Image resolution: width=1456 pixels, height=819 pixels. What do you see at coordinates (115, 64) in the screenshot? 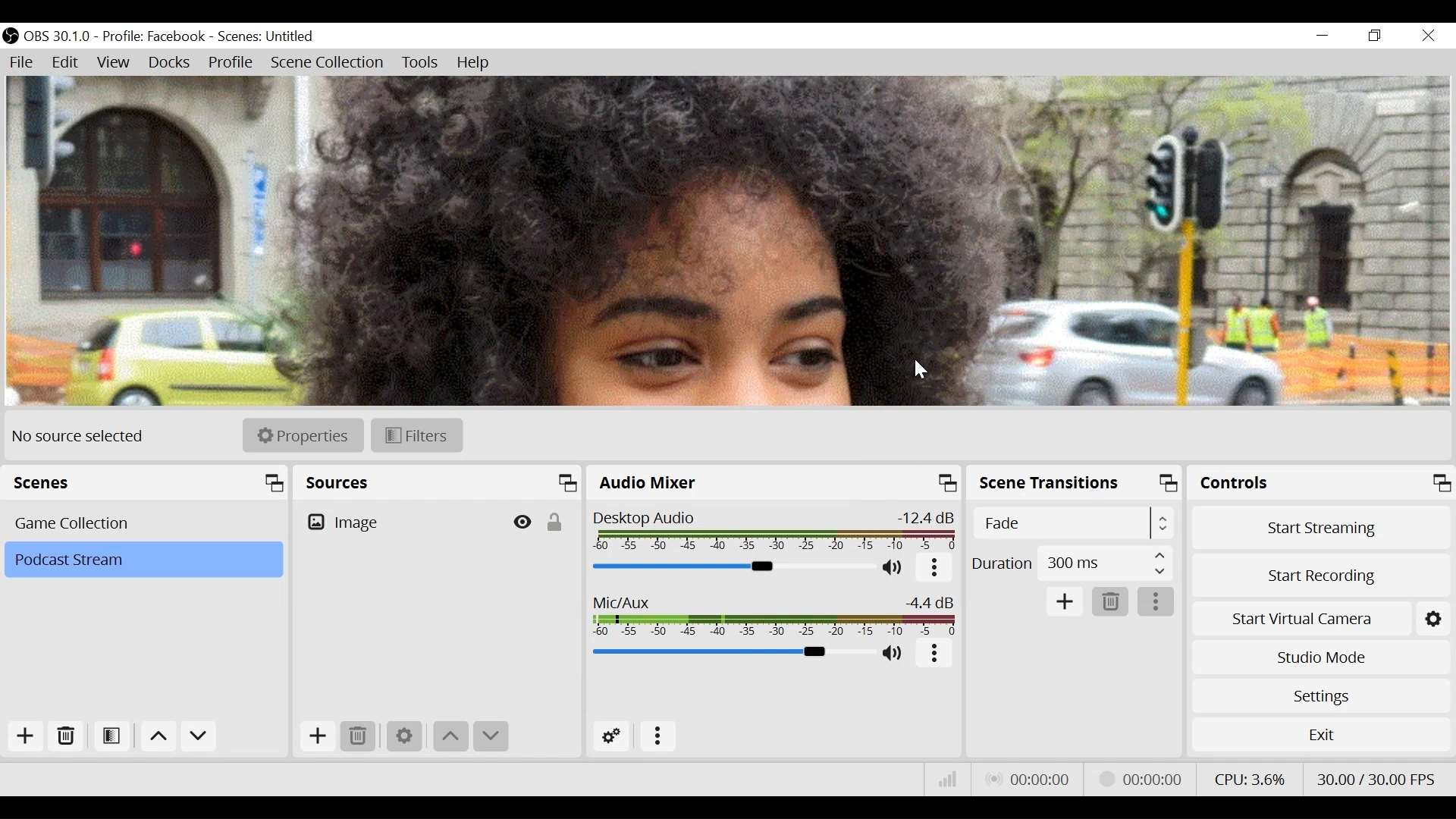
I see `View` at bounding box center [115, 64].